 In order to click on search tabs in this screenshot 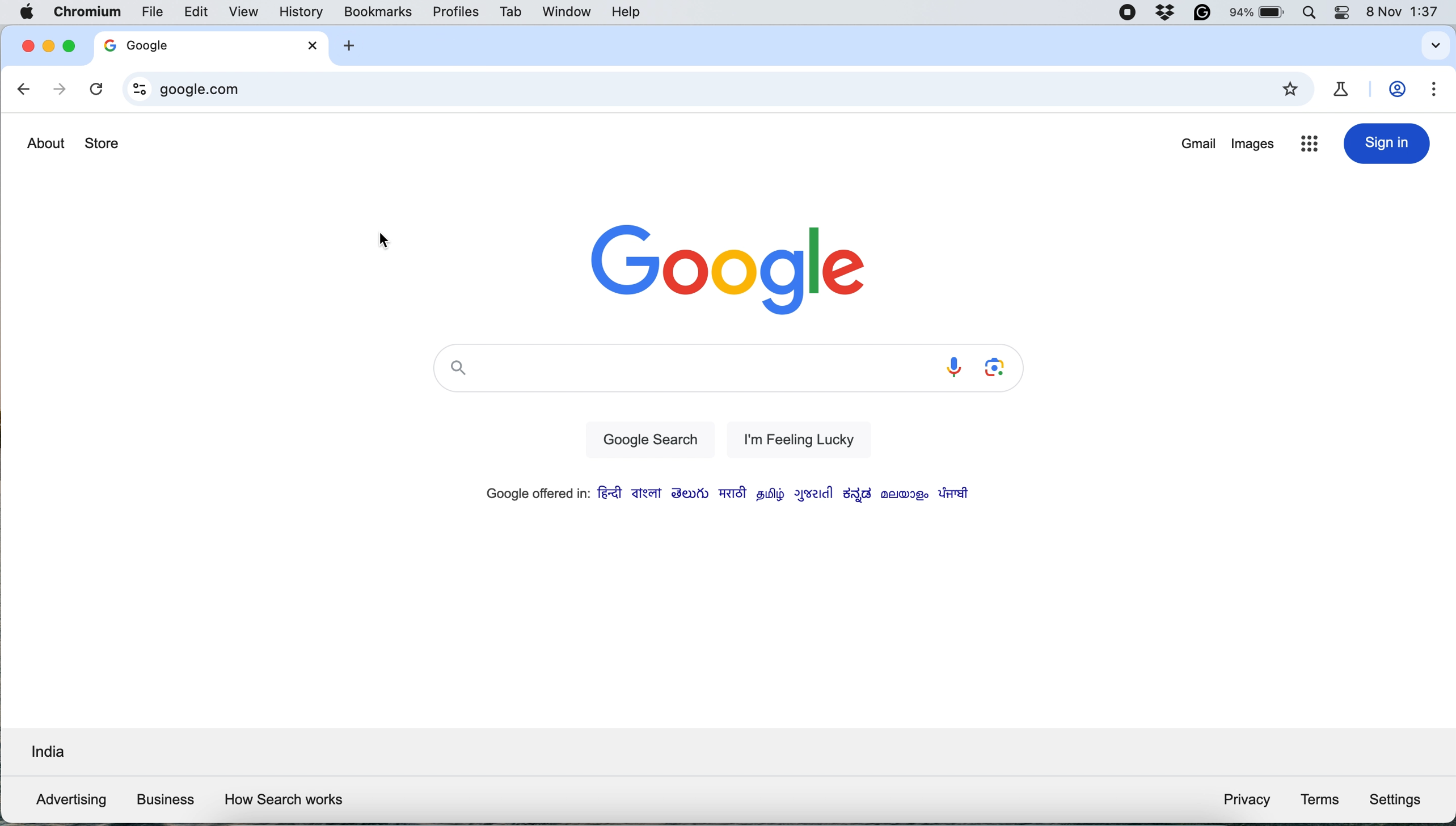, I will do `click(1433, 46)`.